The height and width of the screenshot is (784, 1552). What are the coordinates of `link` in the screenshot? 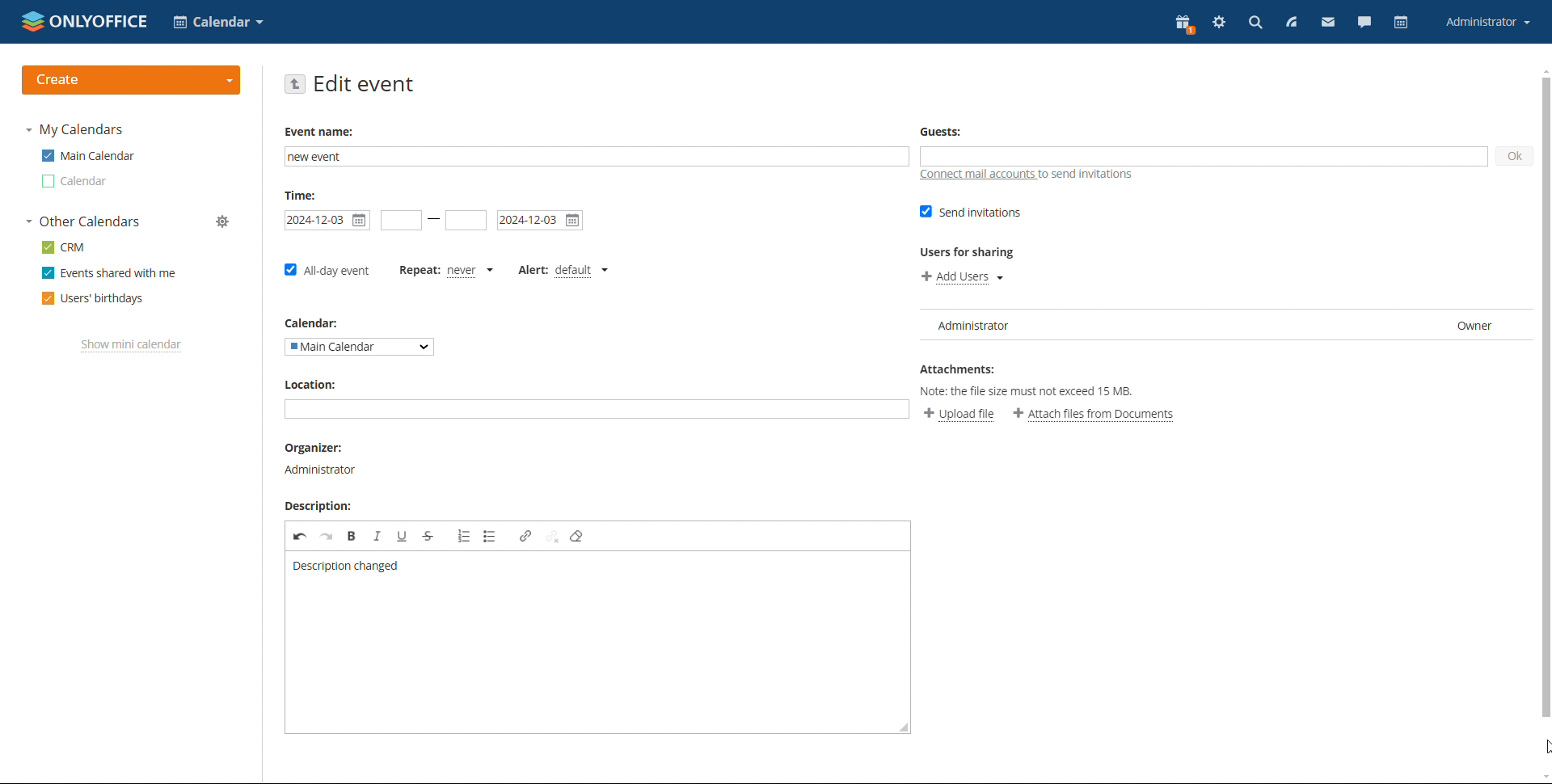 It's located at (525, 537).